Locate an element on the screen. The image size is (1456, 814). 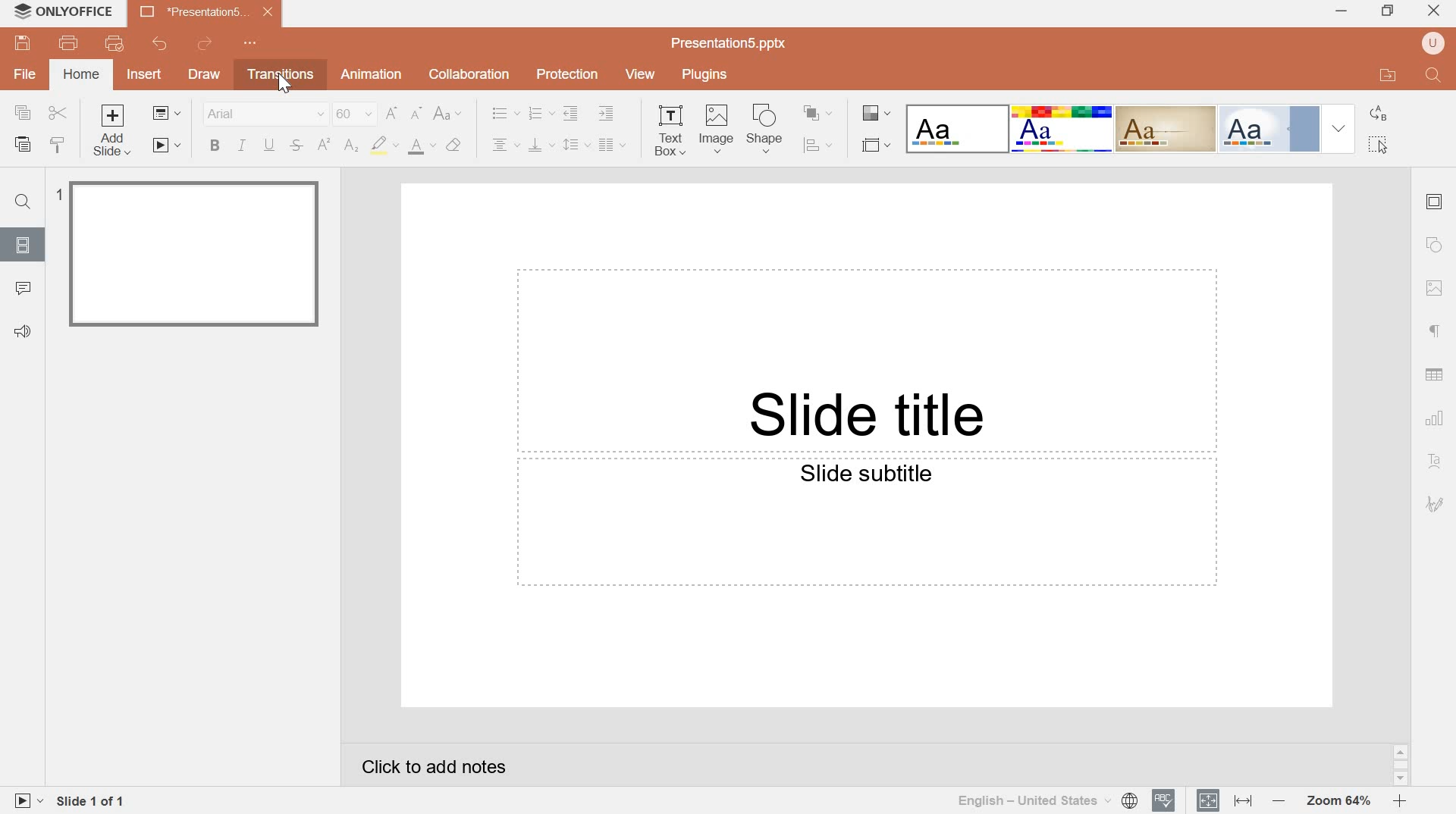
slide settings is located at coordinates (1434, 203).